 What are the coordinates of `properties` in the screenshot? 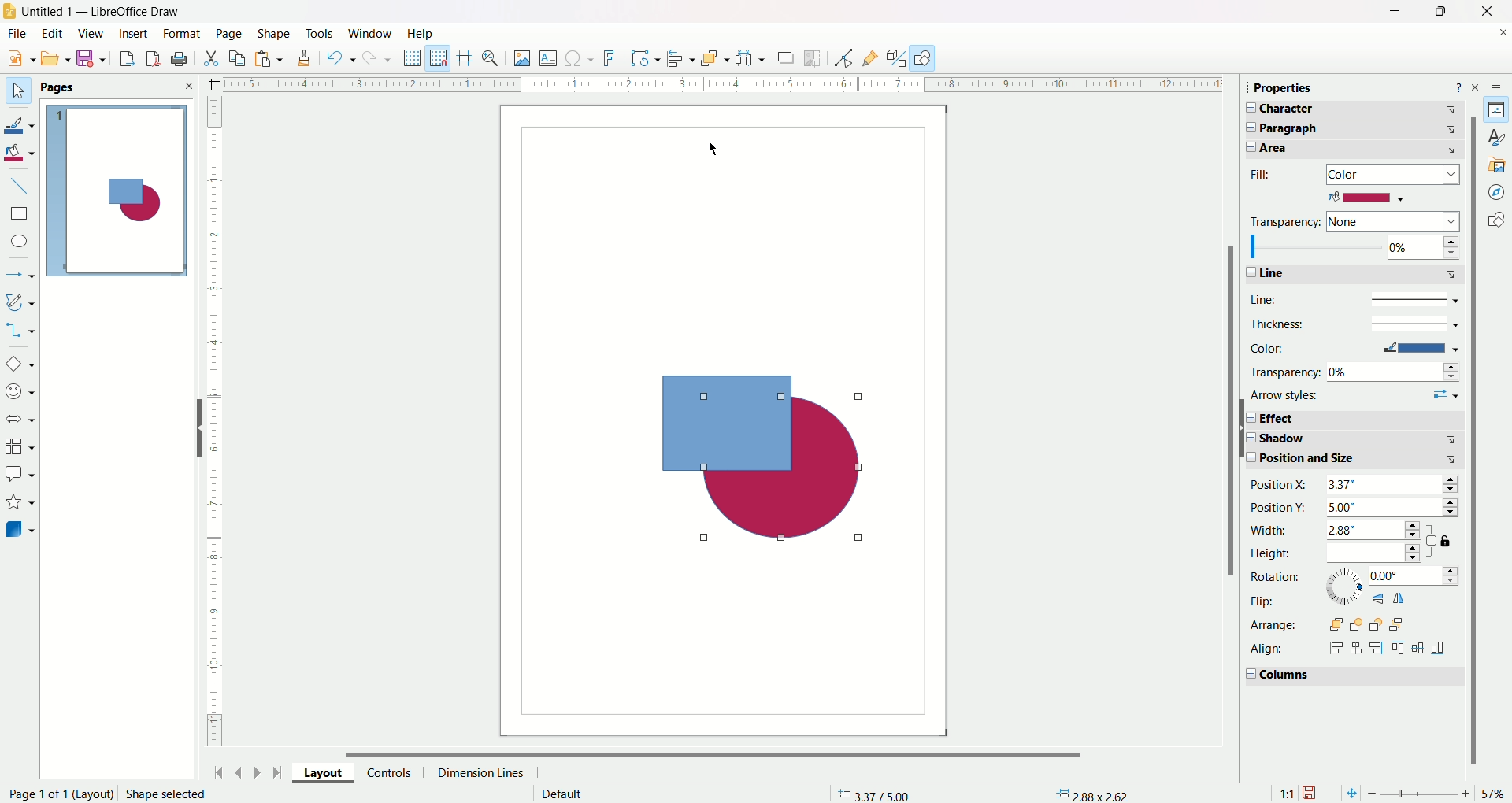 It's located at (1499, 109).